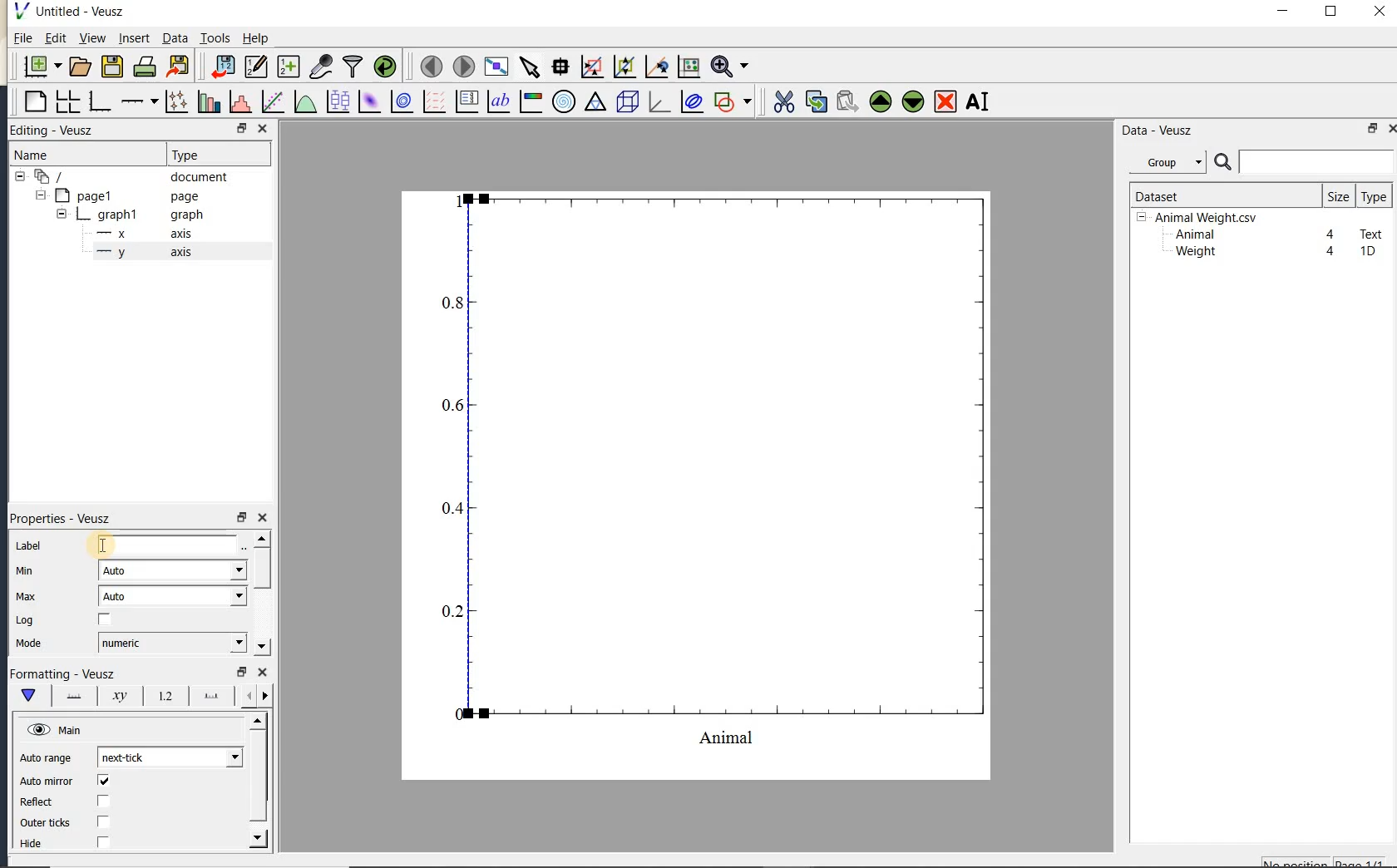  Describe the element at coordinates (1172, 163) in the screenshot. I see `Data - Veusz` at that location.